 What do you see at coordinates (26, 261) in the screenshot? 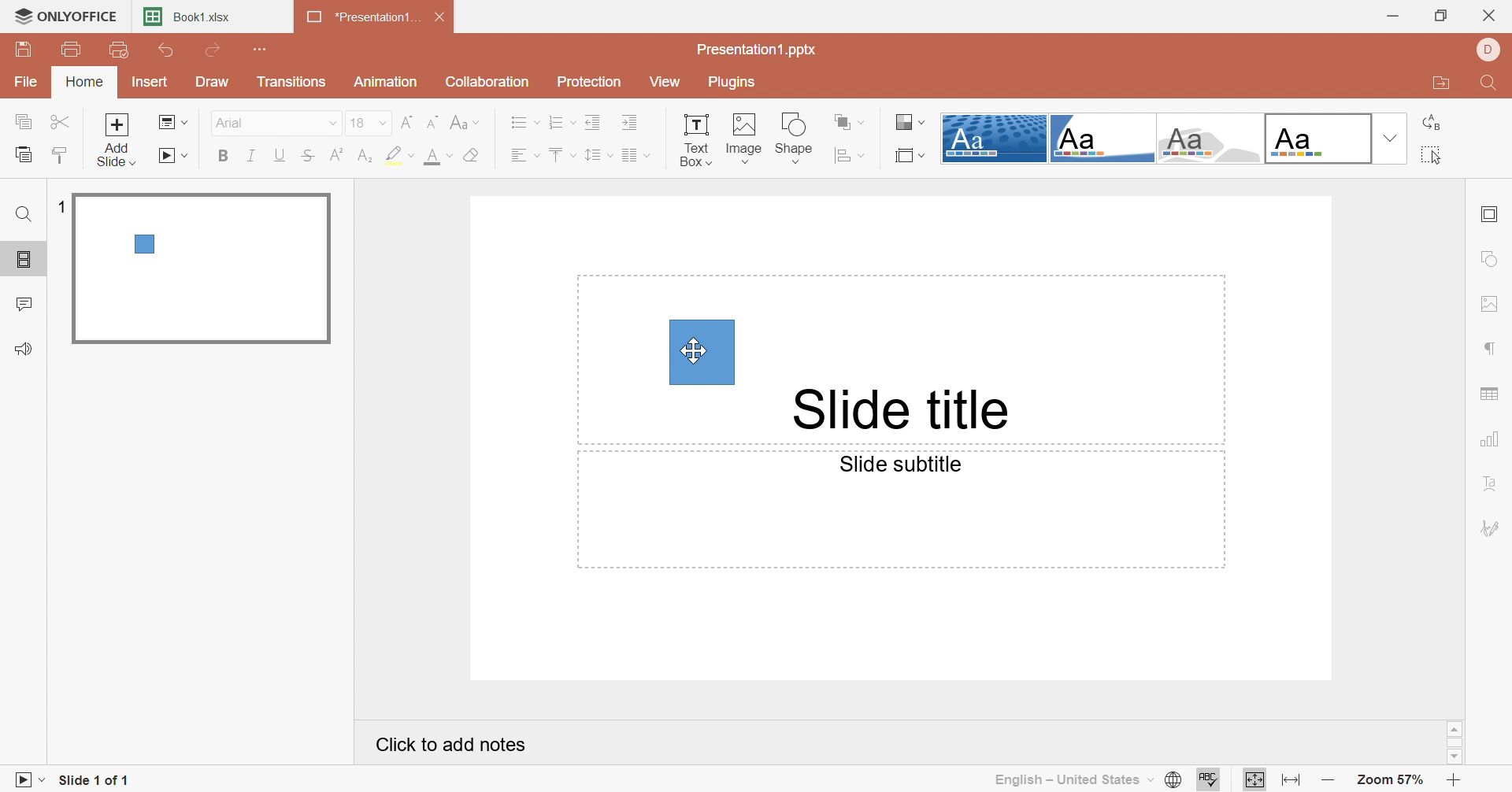
I see `Slides` at bounding box center [26, 261].